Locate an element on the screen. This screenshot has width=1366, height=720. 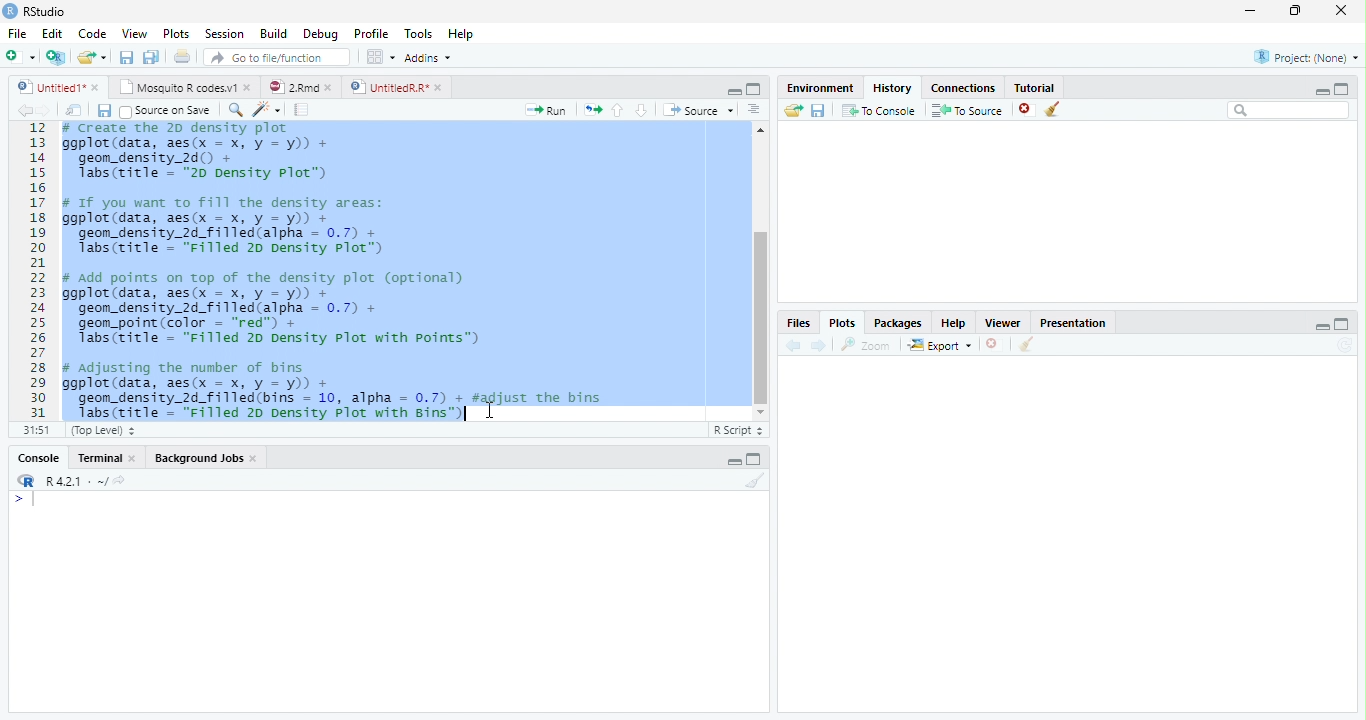
Code is located at coordinates (94, 35).